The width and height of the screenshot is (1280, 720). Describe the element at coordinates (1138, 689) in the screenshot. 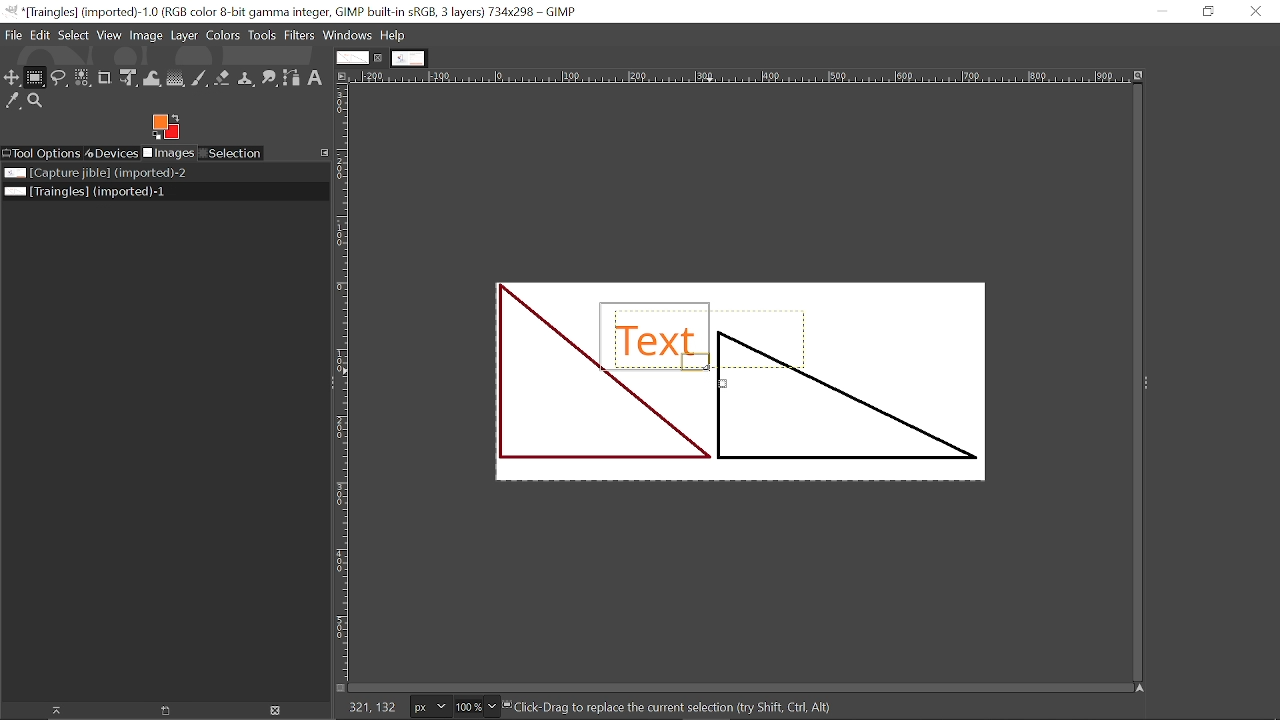

I see `Navigate this window` at that location.